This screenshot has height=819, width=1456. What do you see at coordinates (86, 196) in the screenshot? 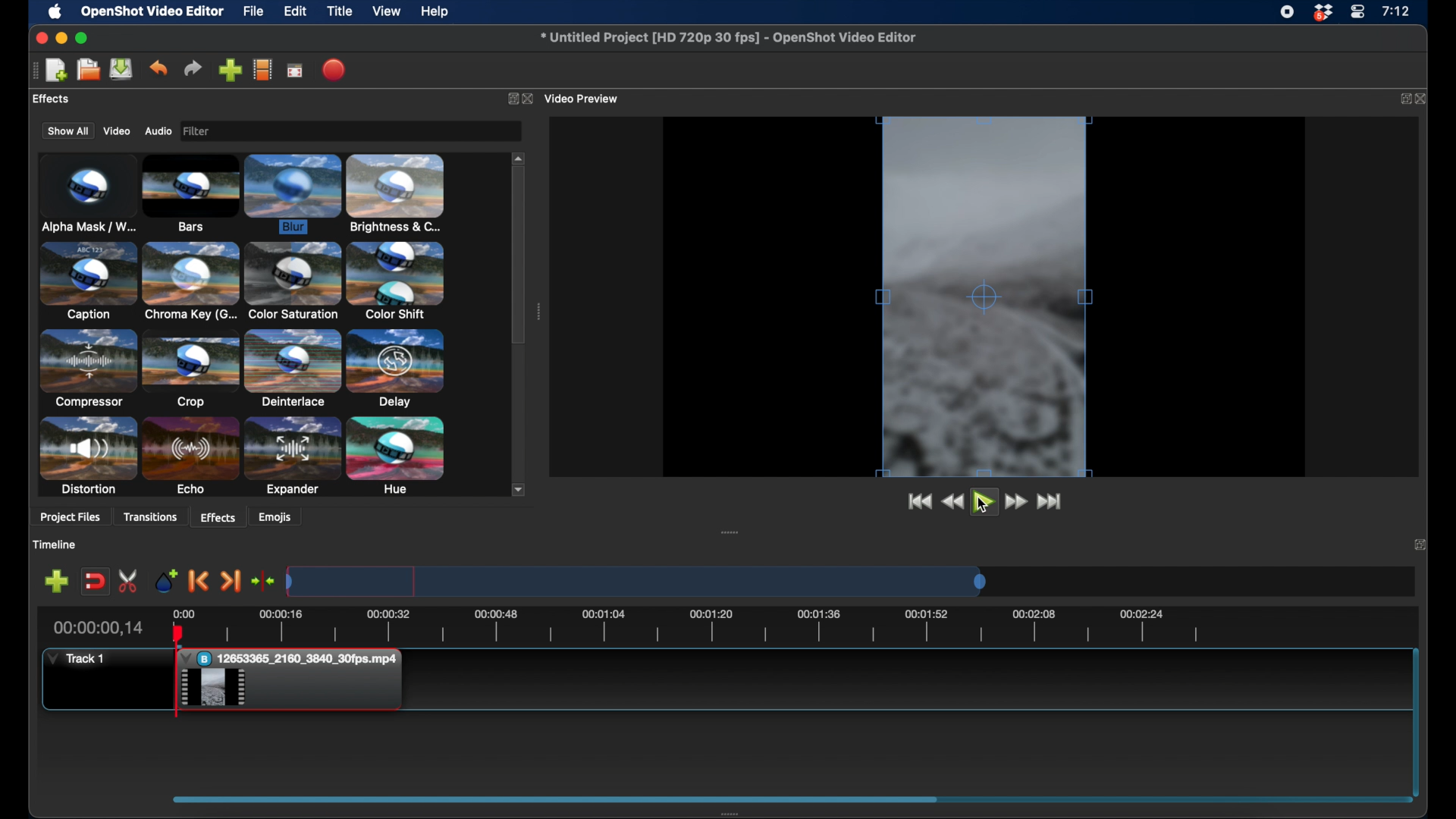
I see `alpha mask` at bounding box center [86, 196].